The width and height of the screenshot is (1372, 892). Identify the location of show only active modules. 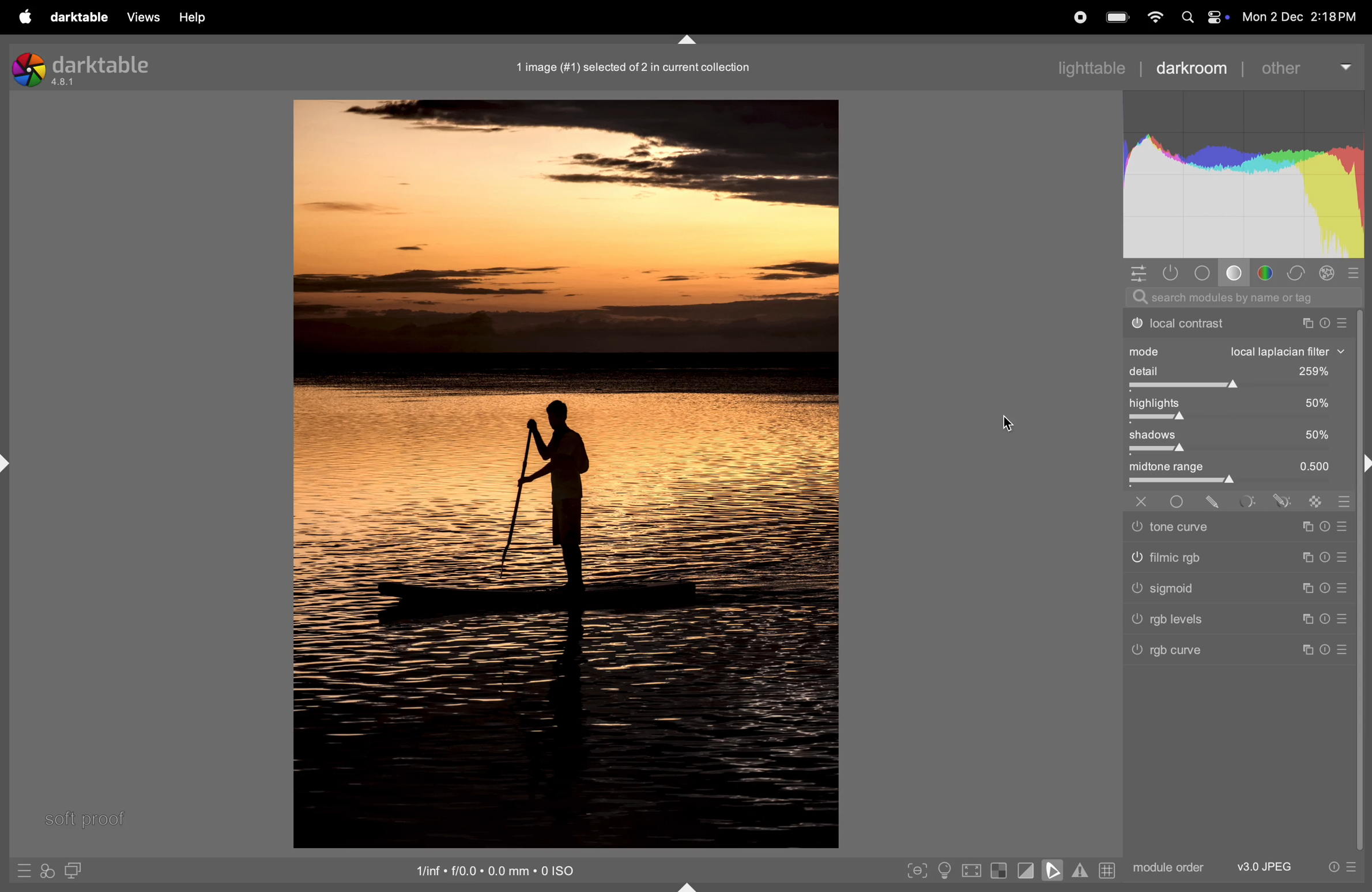
(1171, 273).